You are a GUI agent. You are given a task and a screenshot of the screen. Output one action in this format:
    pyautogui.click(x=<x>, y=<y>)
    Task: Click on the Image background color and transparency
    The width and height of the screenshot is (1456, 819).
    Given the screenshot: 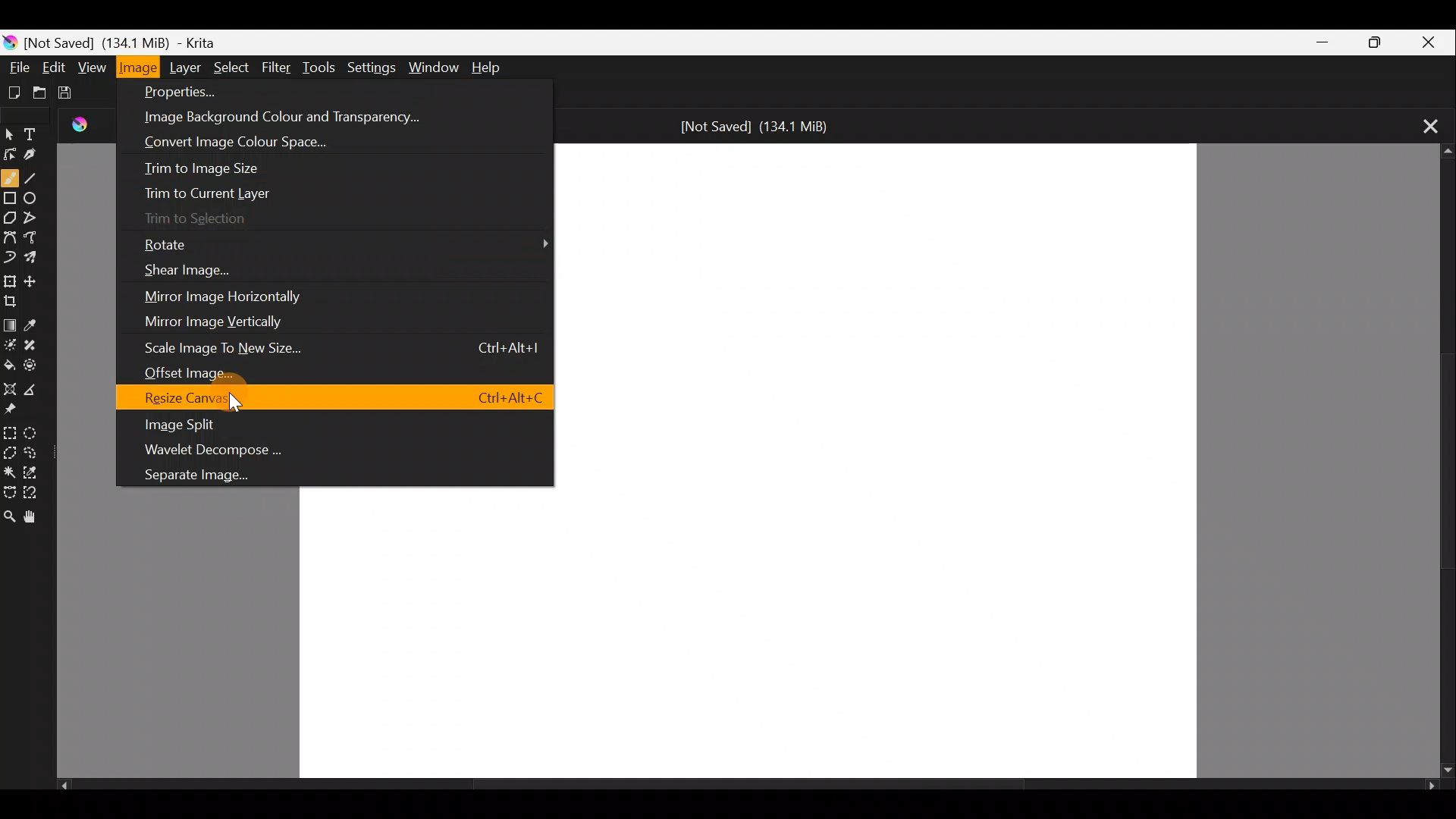 What is the action you would take?
    pyautogui.click(x=318, y=118)
    